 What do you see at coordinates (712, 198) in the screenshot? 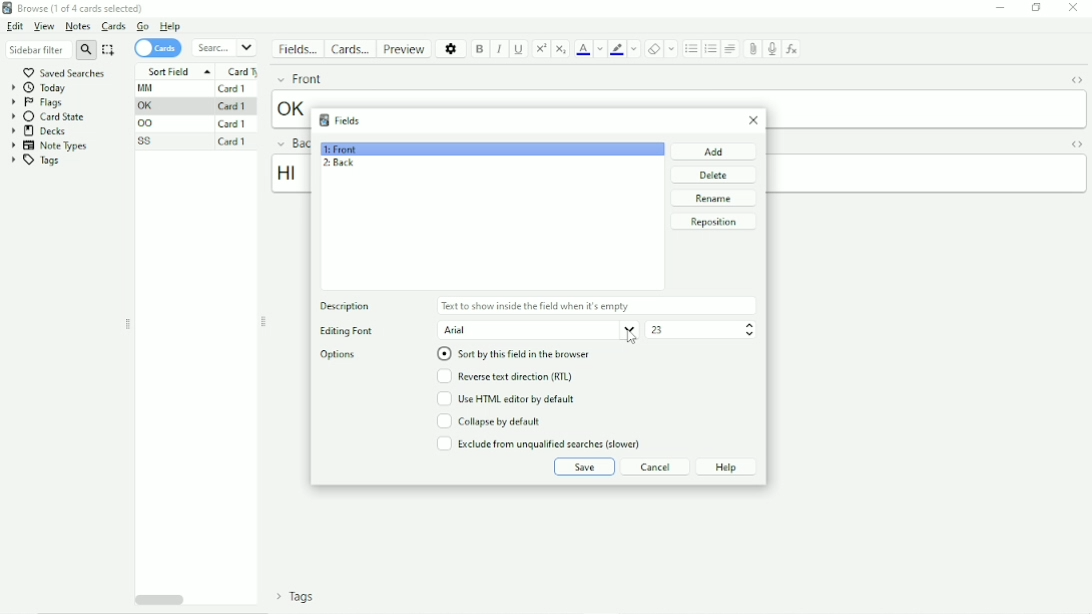
I see `Rename` at bounding box center [712, 198].